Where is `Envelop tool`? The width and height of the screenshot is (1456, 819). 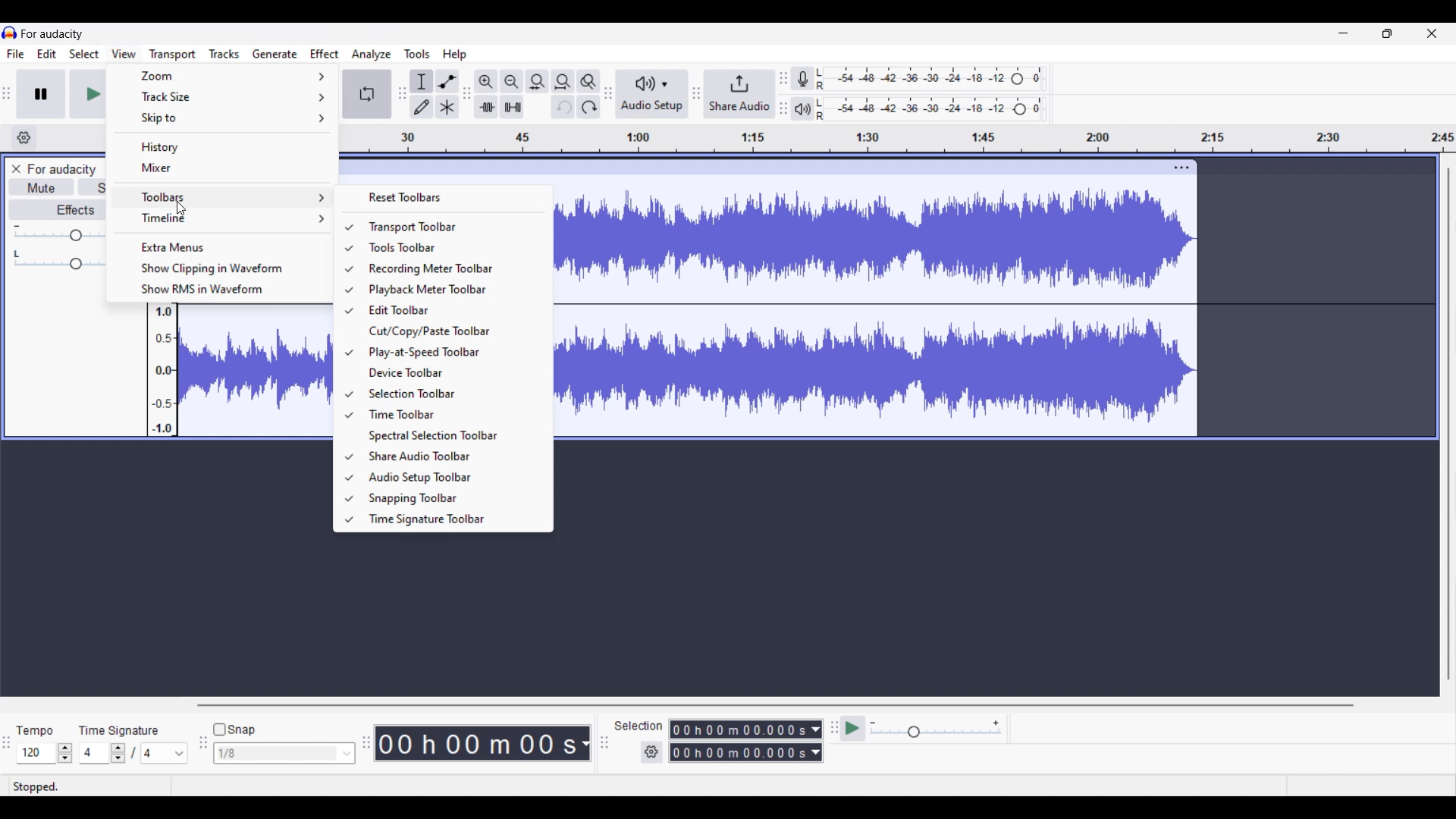 Envelop tool is located at coordinates (447, 82).